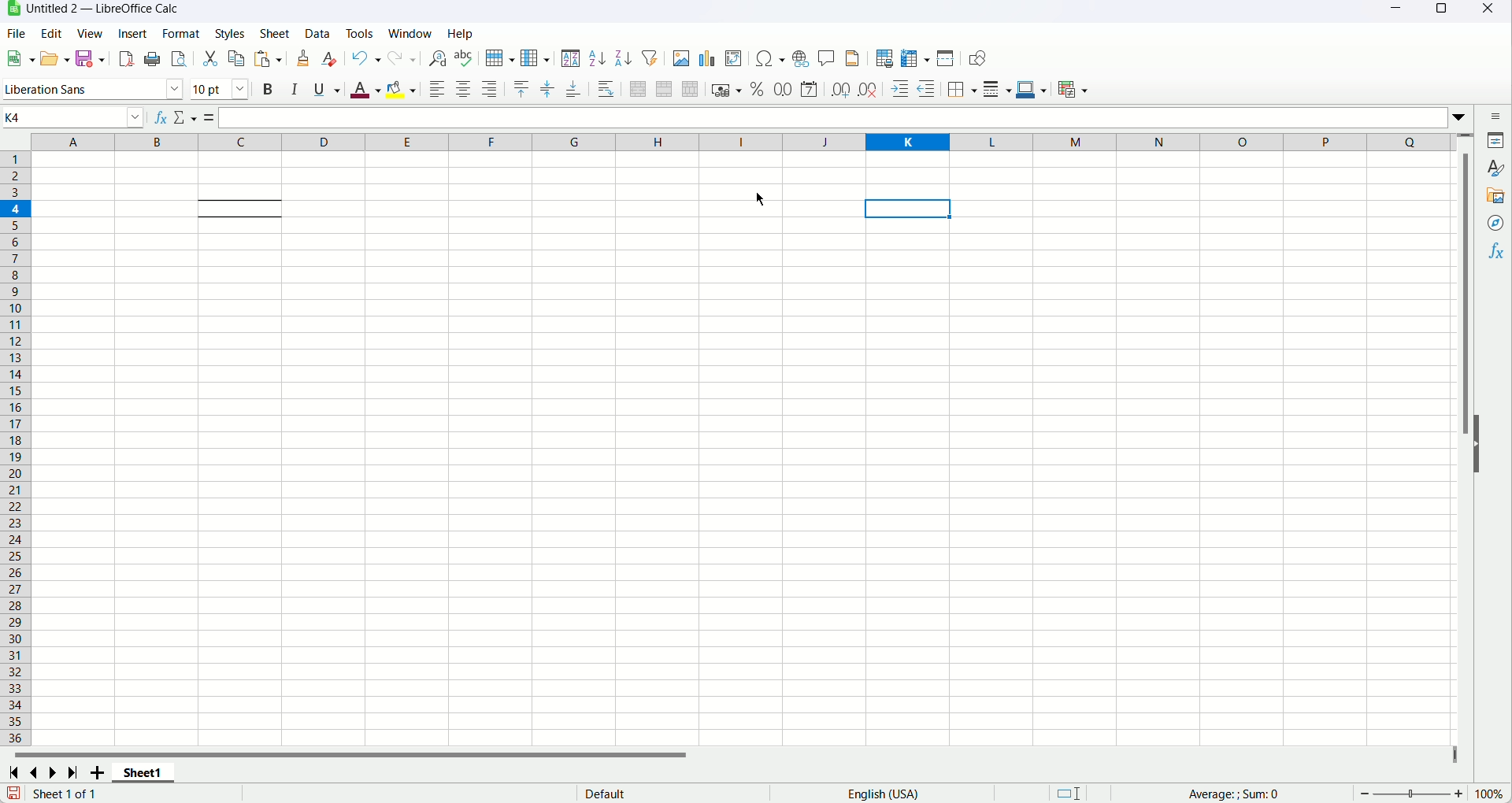  What do you see at coordinates (75, 117) in the screenshot?
I see `Name box` at bounding box center [75, 117].